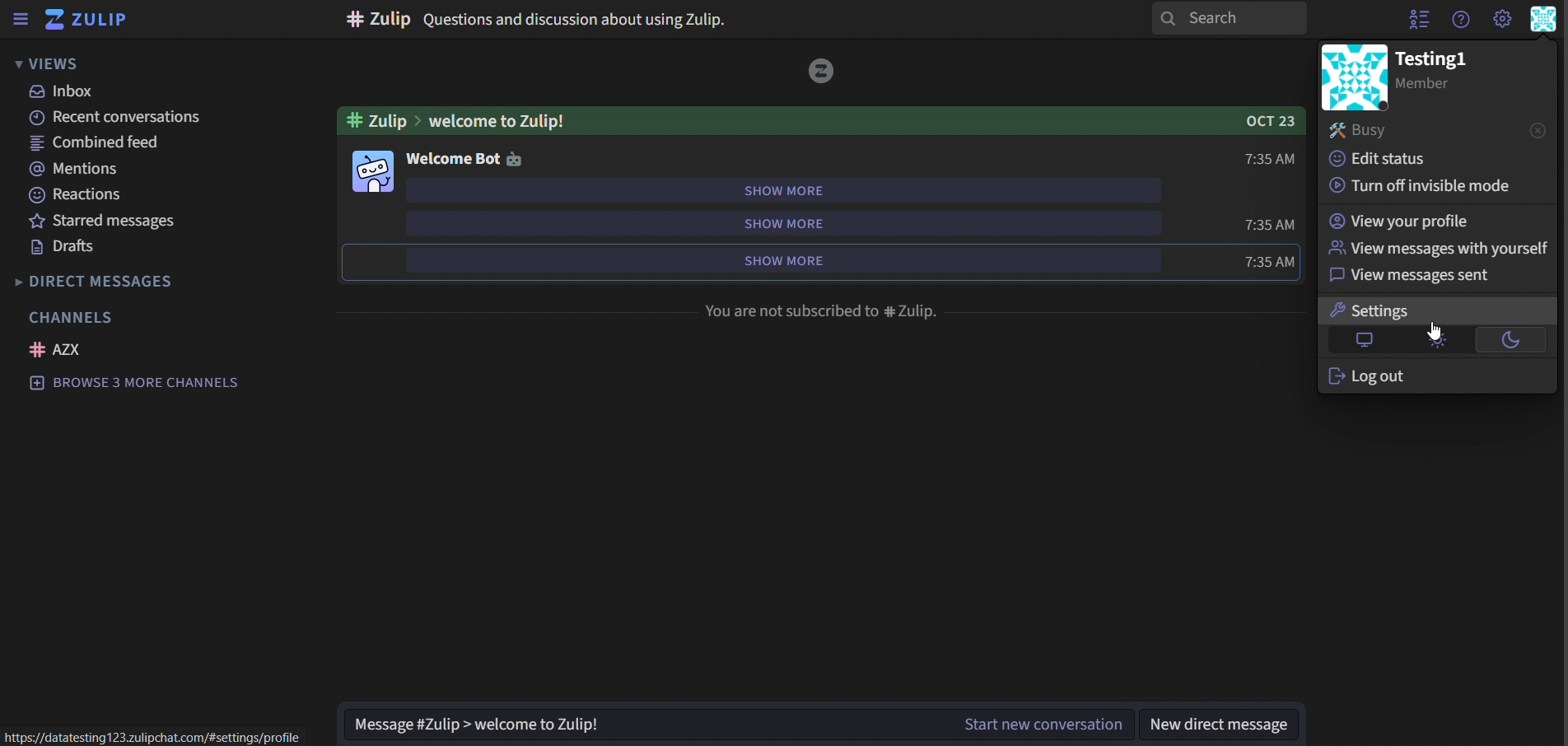 The width and height of the screenshot is (1568, 746). What do you see at coordinates (796, 120) in the screenshot?
I see `welcome to Zulip!` at bounding box center [796, 120].